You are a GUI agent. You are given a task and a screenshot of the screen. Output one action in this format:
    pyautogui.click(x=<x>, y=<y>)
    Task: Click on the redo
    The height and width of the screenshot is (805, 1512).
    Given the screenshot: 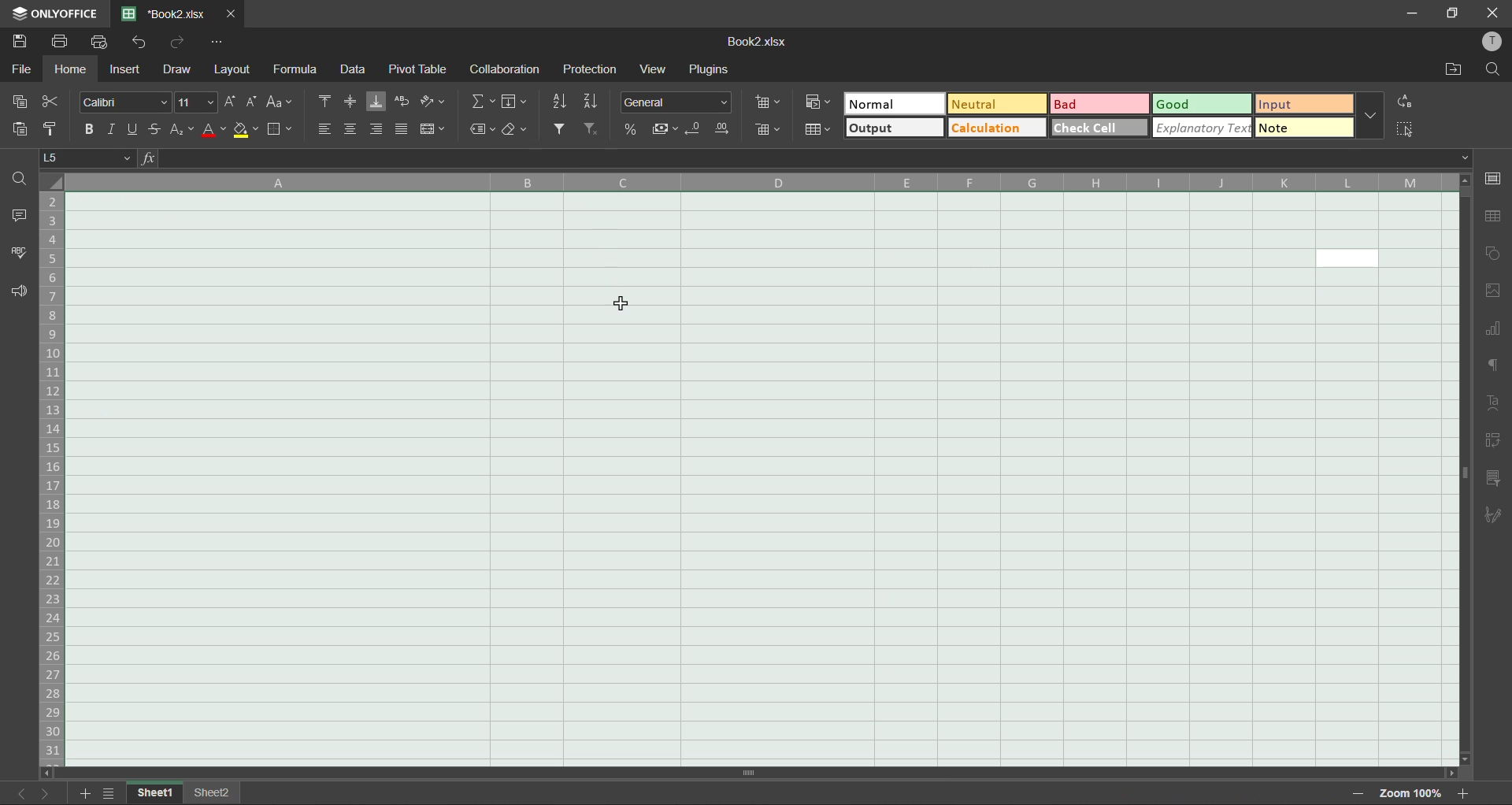 What is the action you would take?
    pyautogui.click(x=176, y=42)
    